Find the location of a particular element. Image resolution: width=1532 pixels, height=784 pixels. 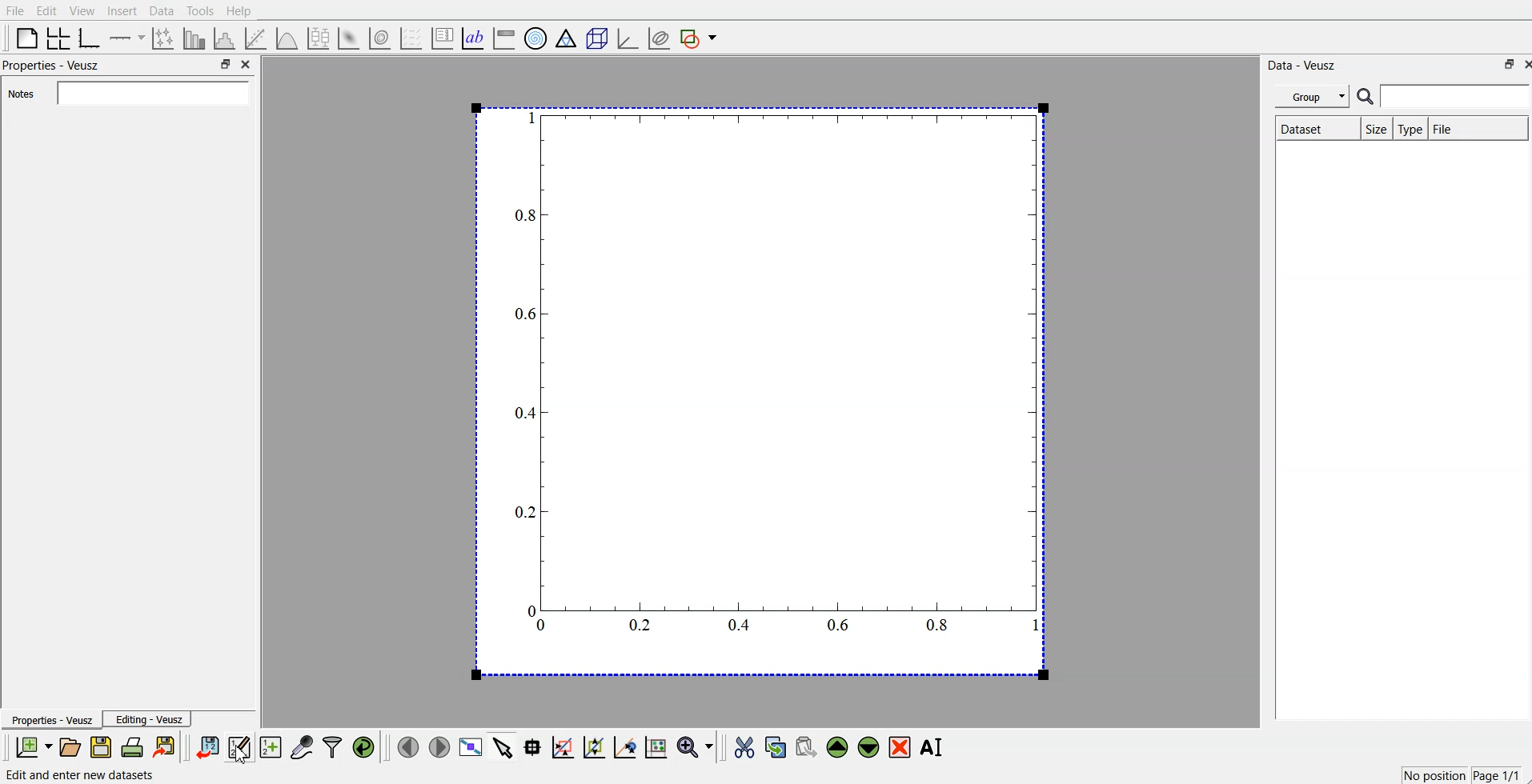

plot a function is located at coordinates (288, 36).